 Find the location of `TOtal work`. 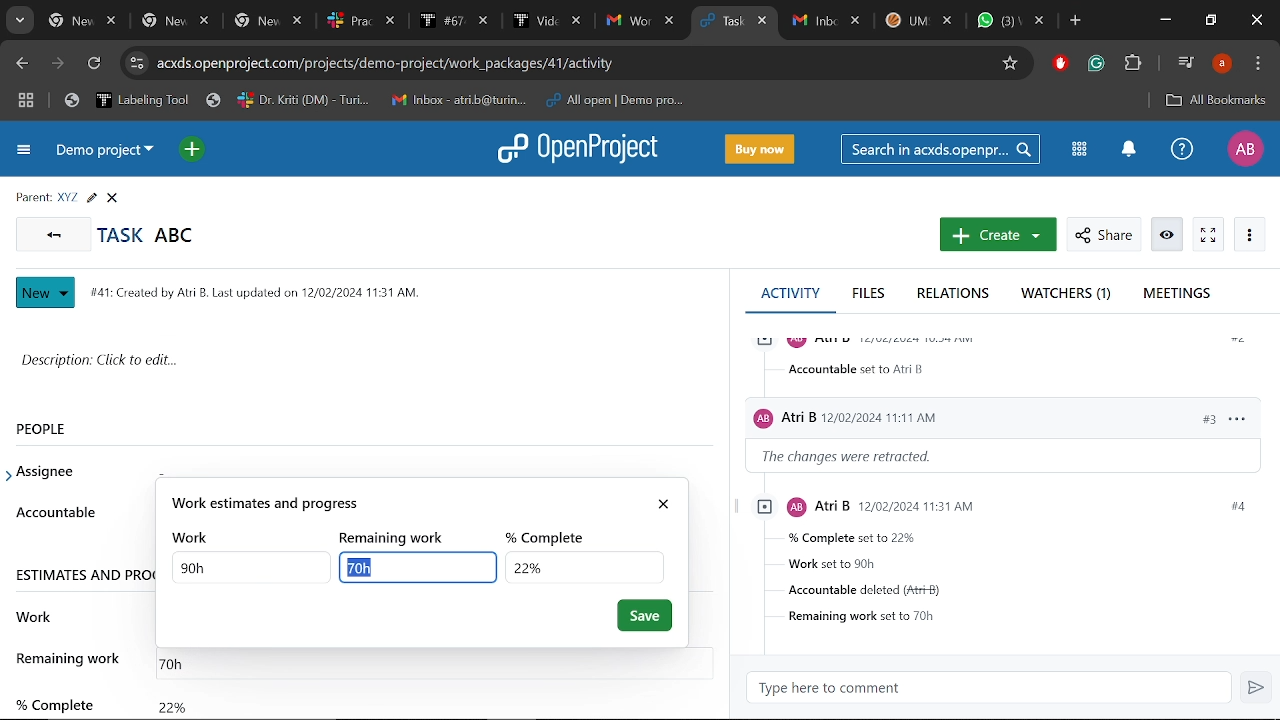

TOtal work is located at coordinates (250, 568).